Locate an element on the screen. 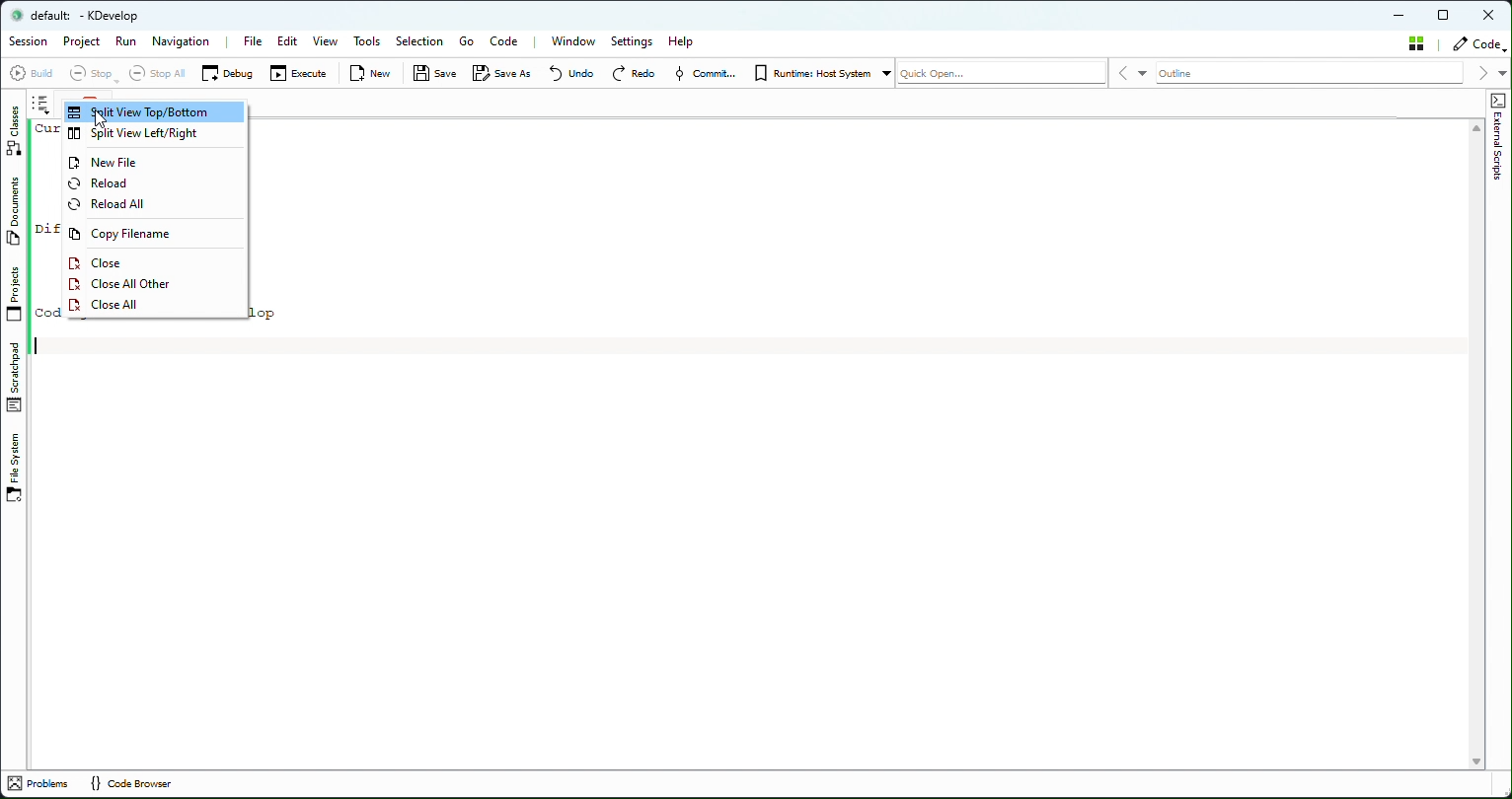  Navigation is located at coordinates (180, 42).